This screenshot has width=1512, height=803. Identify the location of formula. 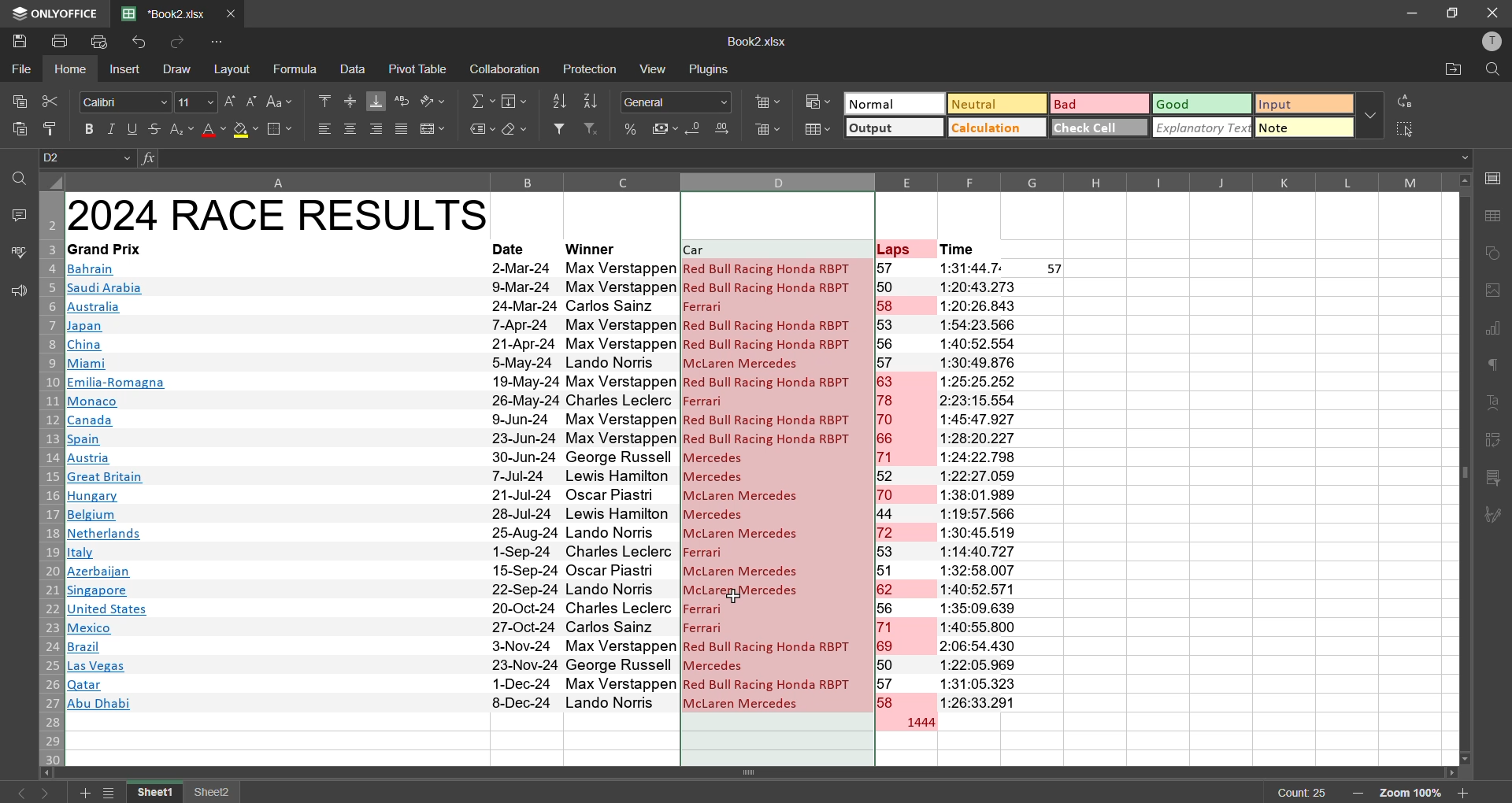
(298, 69).